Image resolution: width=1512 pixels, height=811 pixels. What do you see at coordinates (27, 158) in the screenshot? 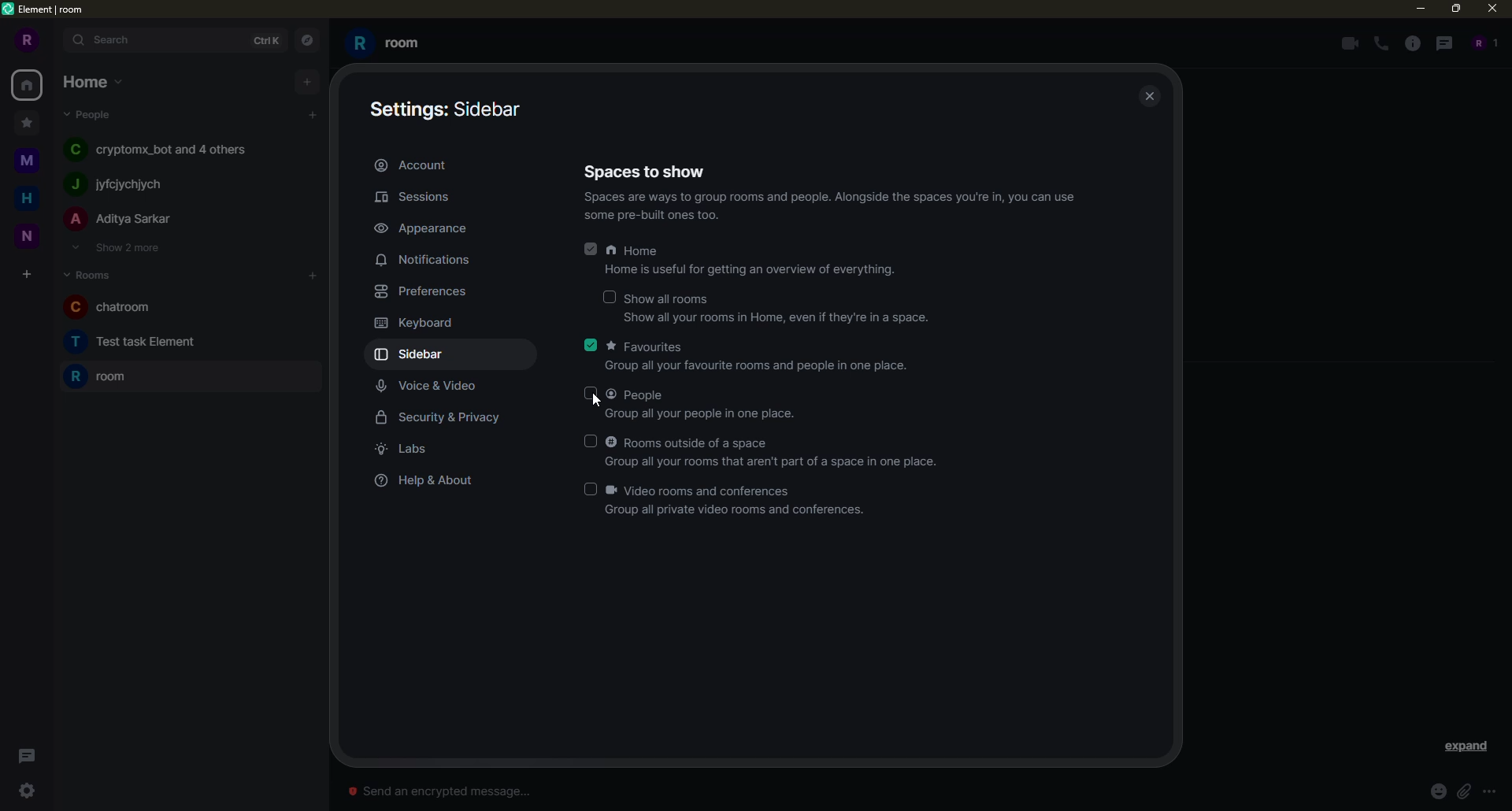
I see `h` at bounding box center [27, 158].